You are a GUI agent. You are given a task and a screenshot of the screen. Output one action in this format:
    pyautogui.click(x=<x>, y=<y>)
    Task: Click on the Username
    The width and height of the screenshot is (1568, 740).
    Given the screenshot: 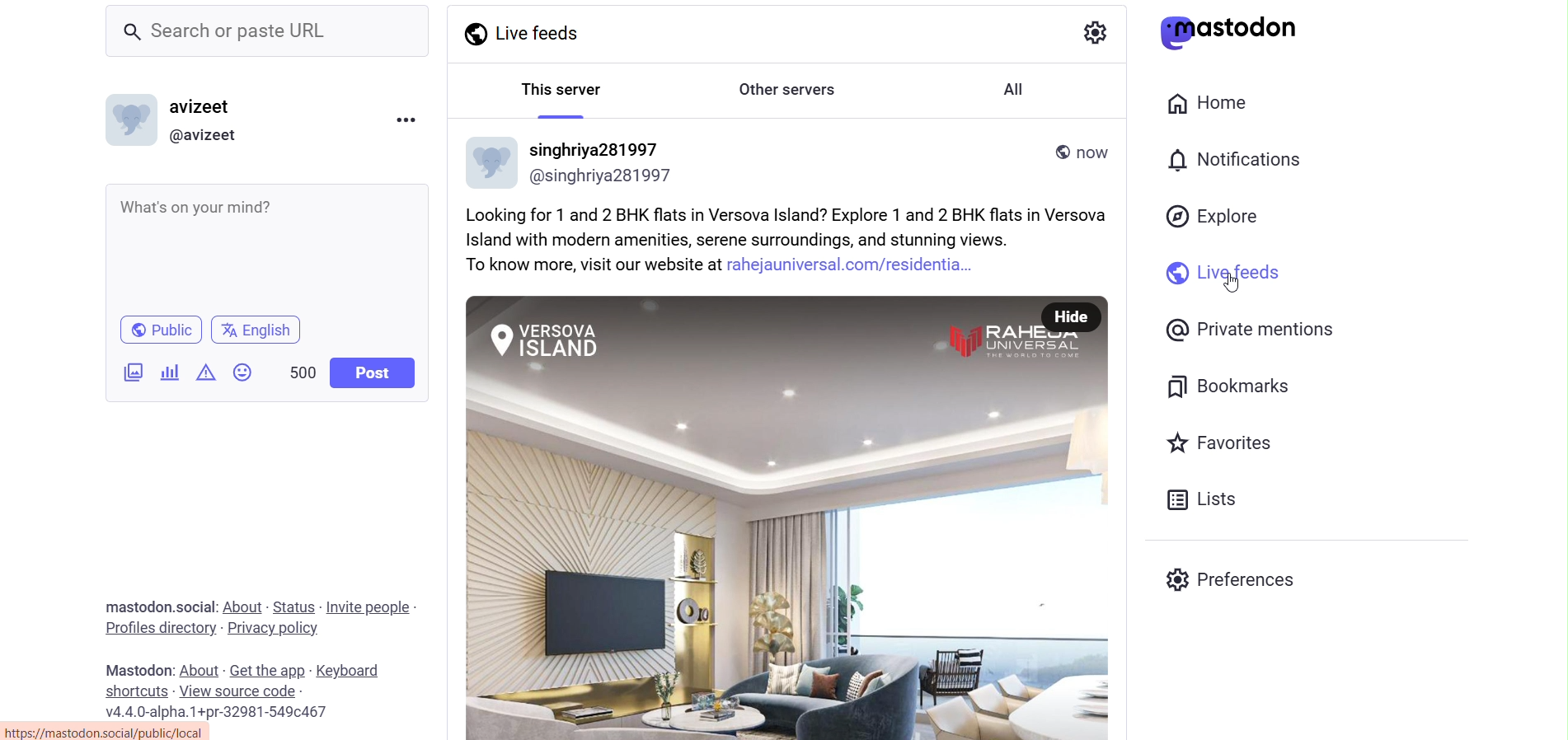 What is the action you would take?
    pyautogui.click(x=594, y=148)
    